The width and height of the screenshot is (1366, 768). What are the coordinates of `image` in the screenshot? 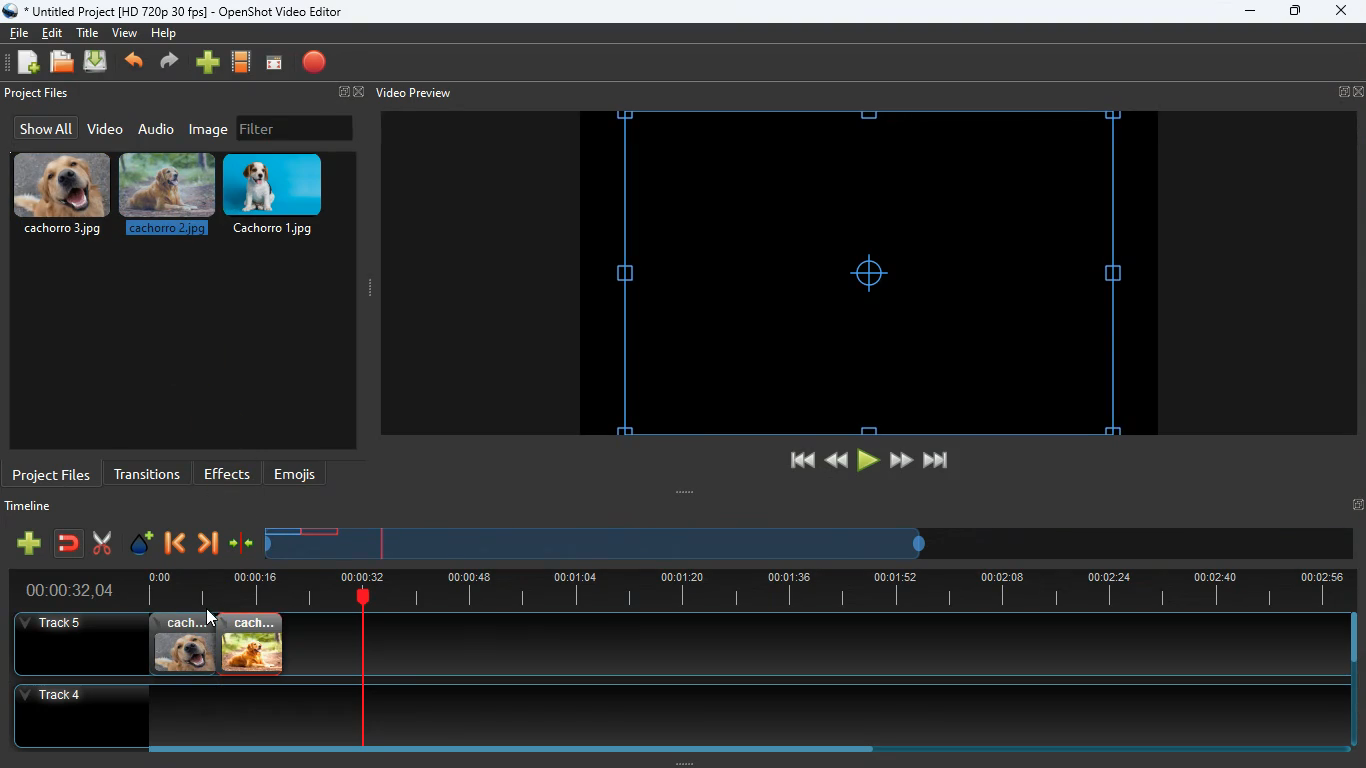 It's located at (210, 129).